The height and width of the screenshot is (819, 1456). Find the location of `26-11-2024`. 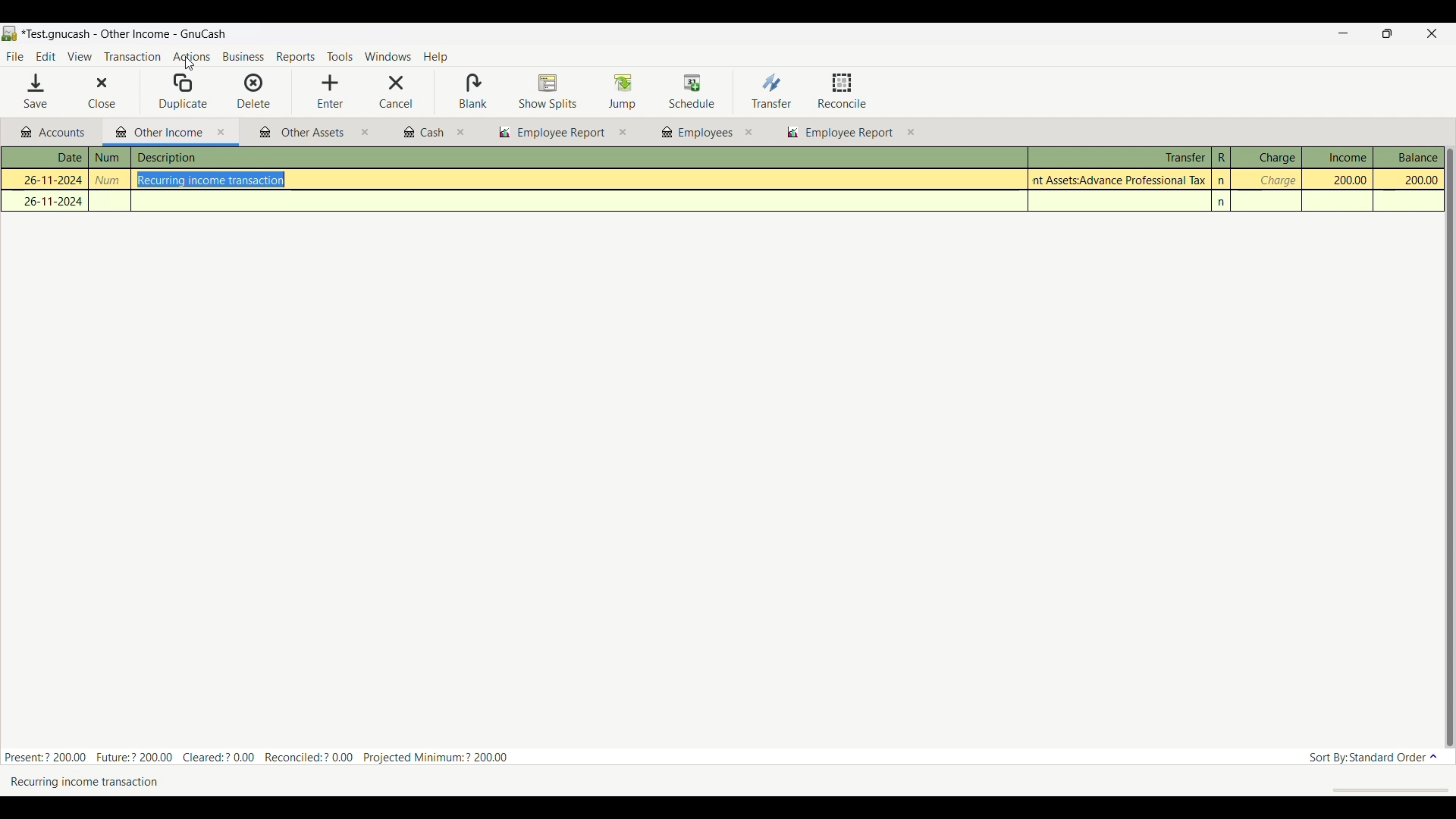

26-11-2024 is located at coordinates (49, 201).